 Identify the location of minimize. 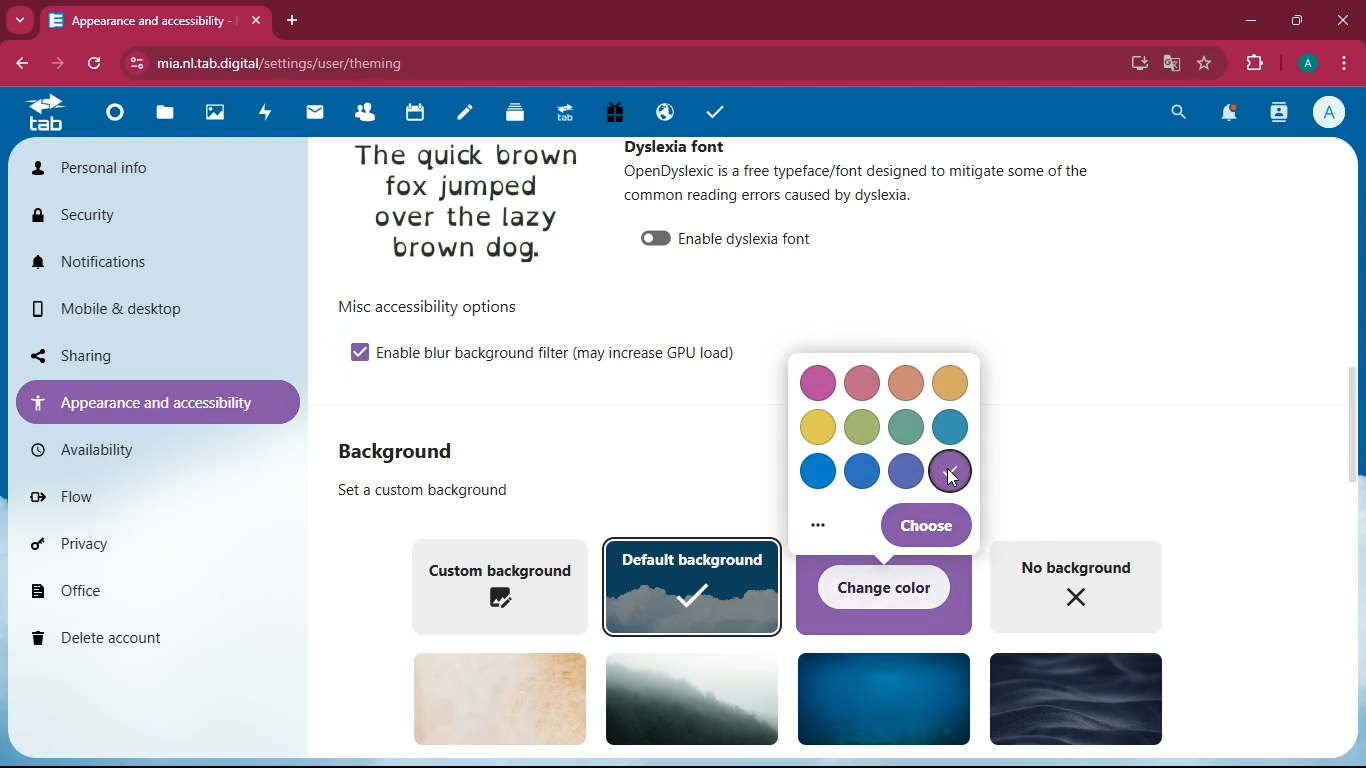
(1252, 21).